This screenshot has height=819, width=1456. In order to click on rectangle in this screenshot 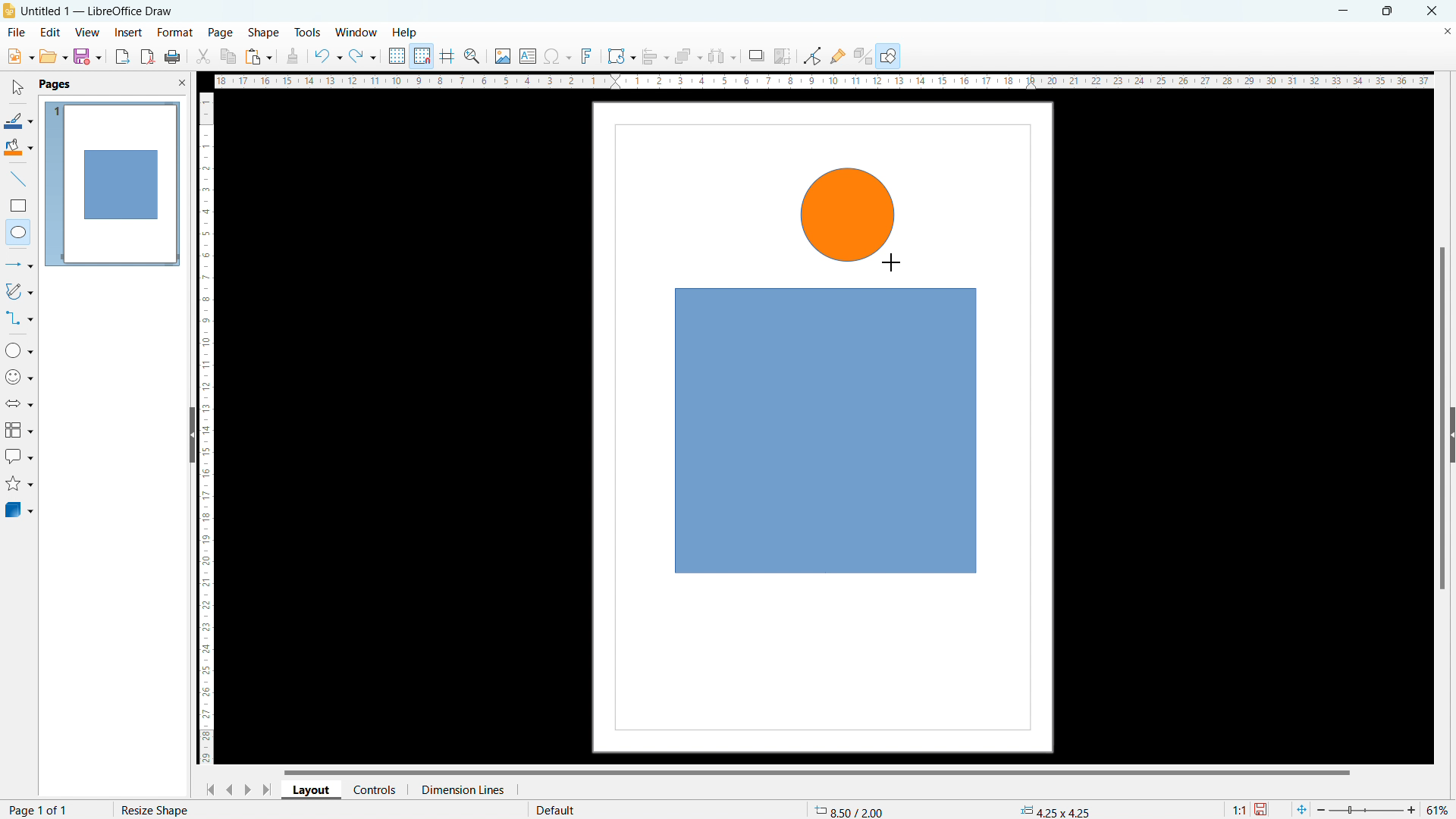, I will do `click(18, 206)`.